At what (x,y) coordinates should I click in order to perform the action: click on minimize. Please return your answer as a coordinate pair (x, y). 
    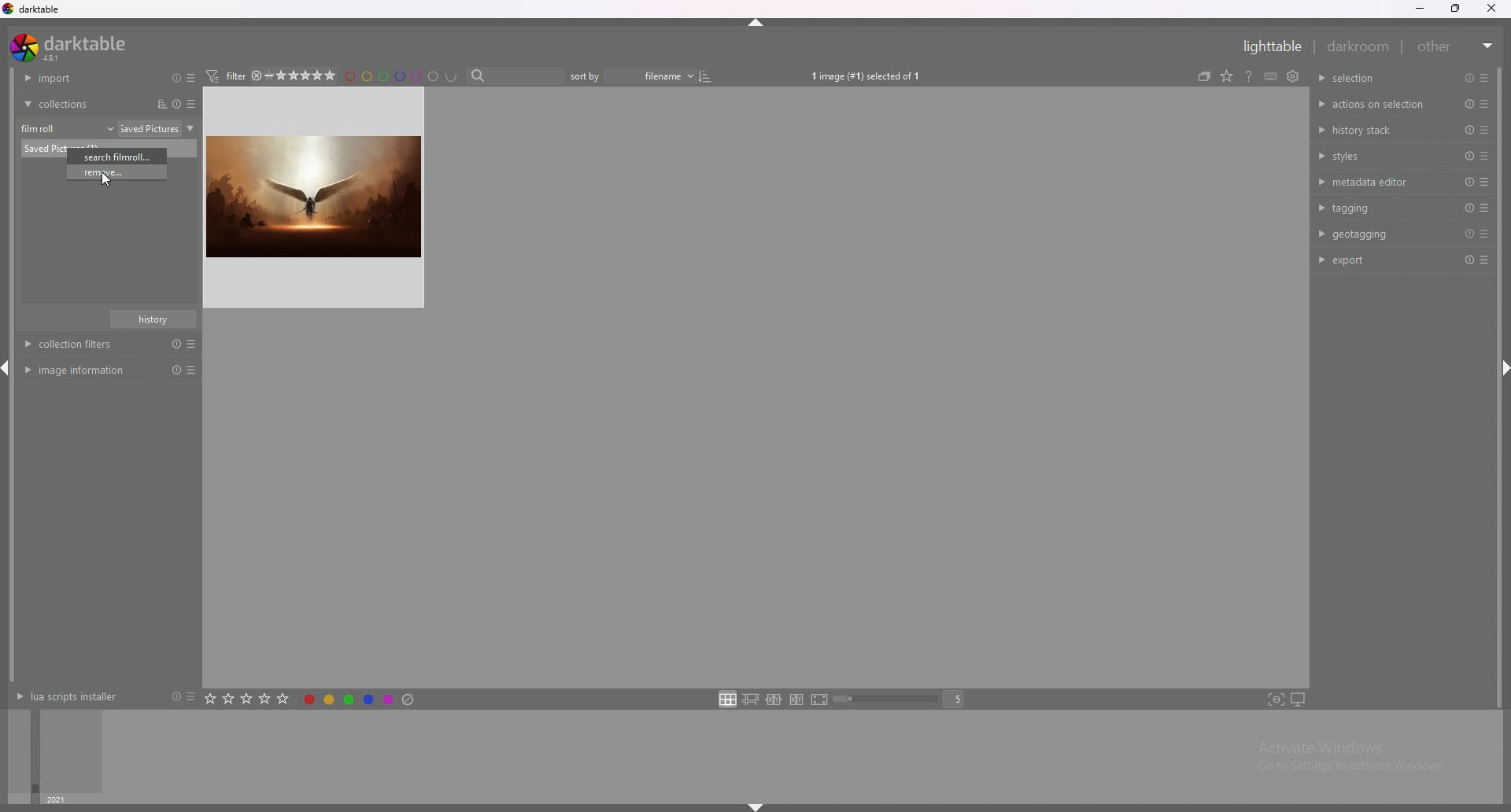
    Looking at the image, I should click on (1420, 9).